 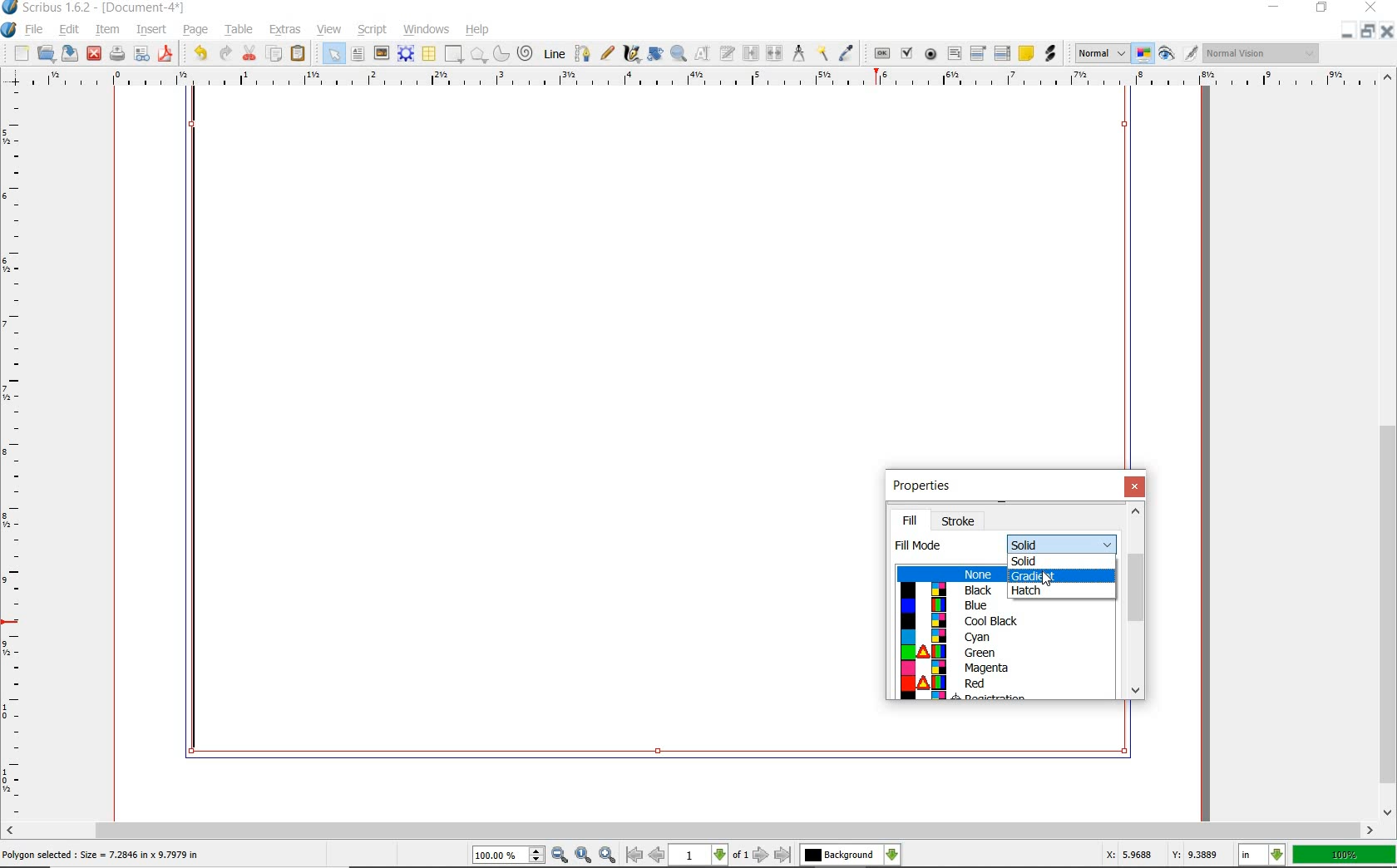 I want to click on spiral, so click(x=526, y=53).